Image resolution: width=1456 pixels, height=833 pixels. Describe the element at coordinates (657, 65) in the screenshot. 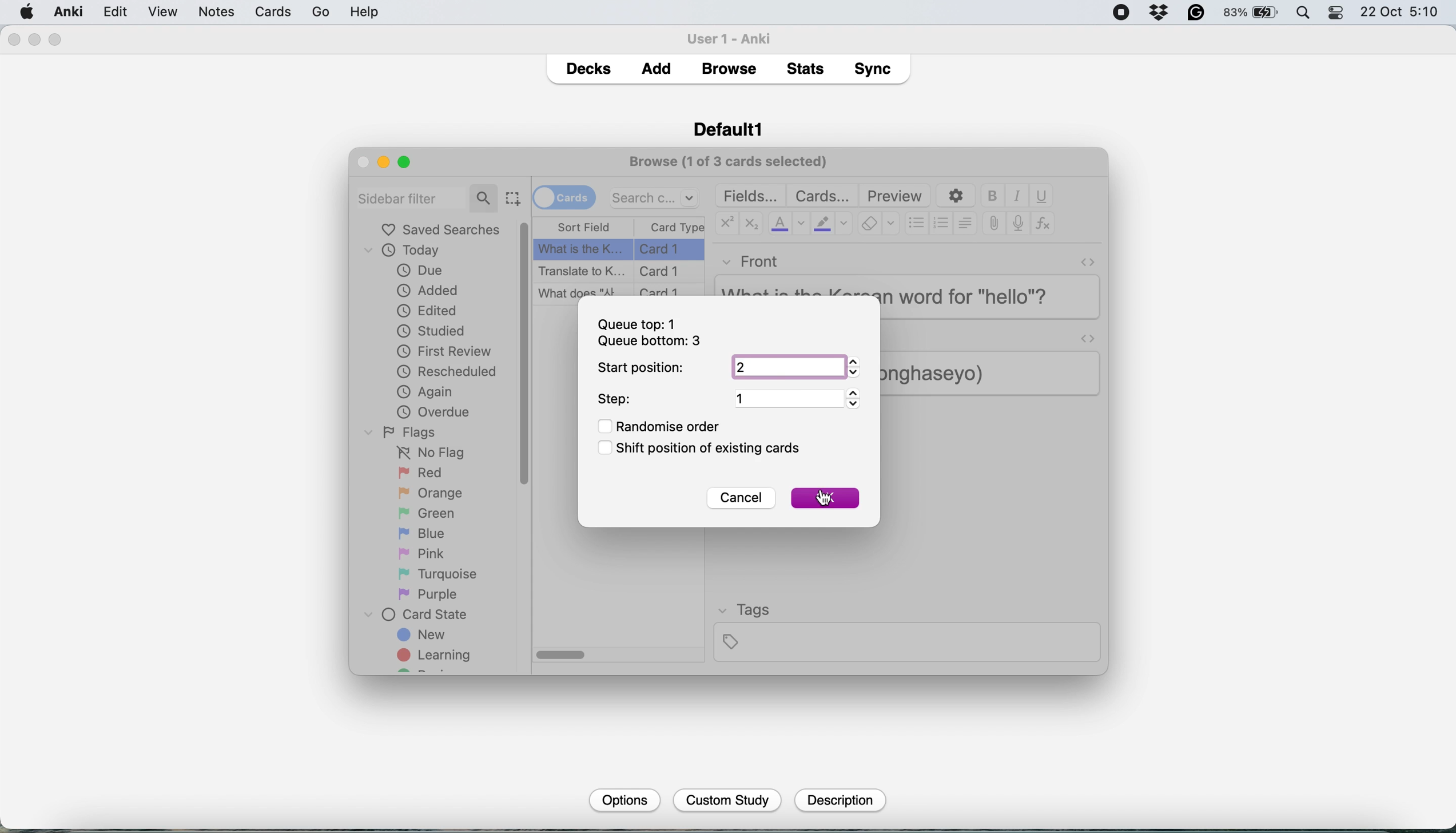

I see `Add` at that location.